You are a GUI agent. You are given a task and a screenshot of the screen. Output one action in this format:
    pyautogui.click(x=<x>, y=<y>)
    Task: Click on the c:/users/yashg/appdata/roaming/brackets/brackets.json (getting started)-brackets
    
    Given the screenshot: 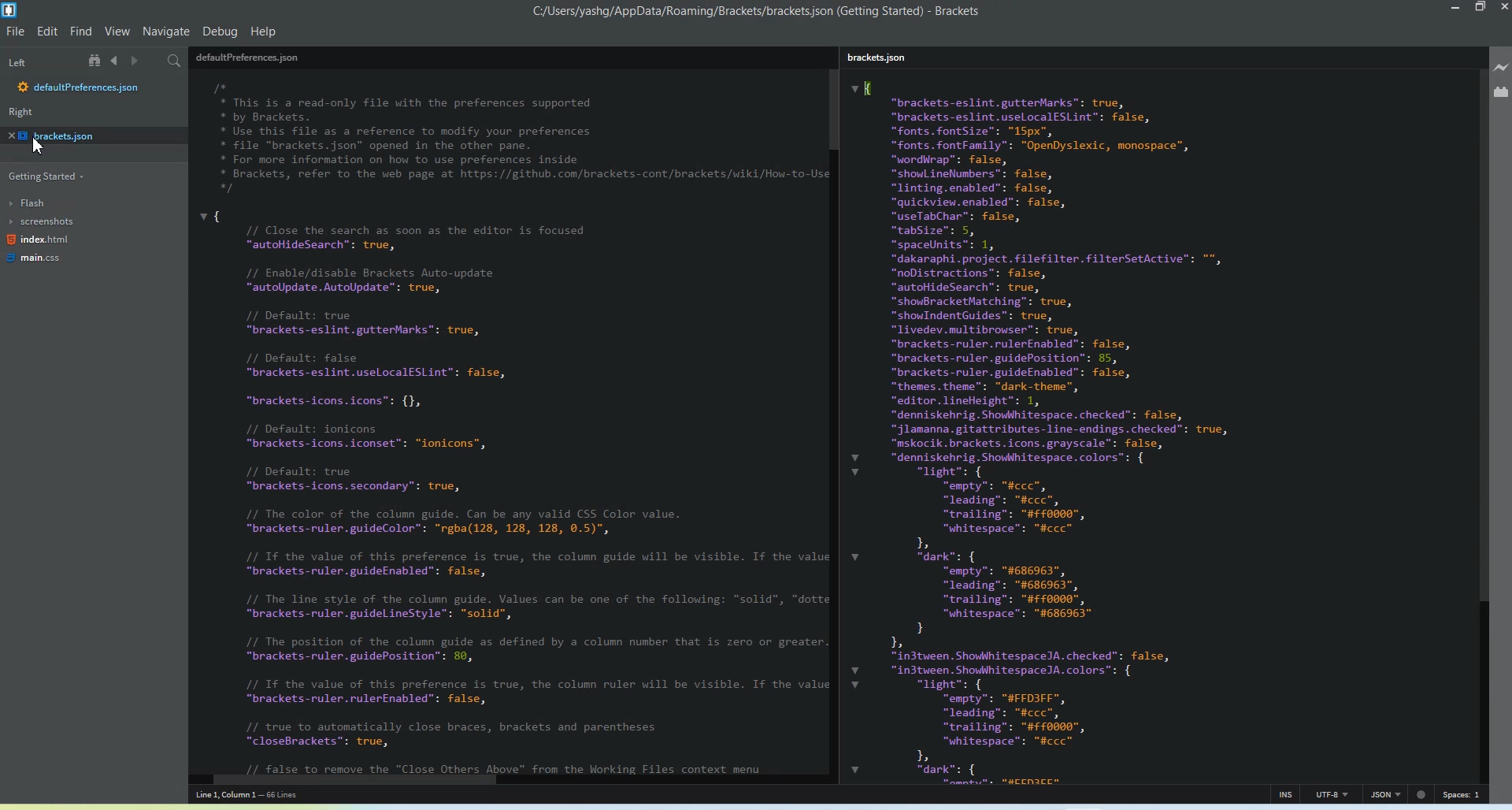 What is the action you would take?
    pyautogui.click(x=757, y=12)
    